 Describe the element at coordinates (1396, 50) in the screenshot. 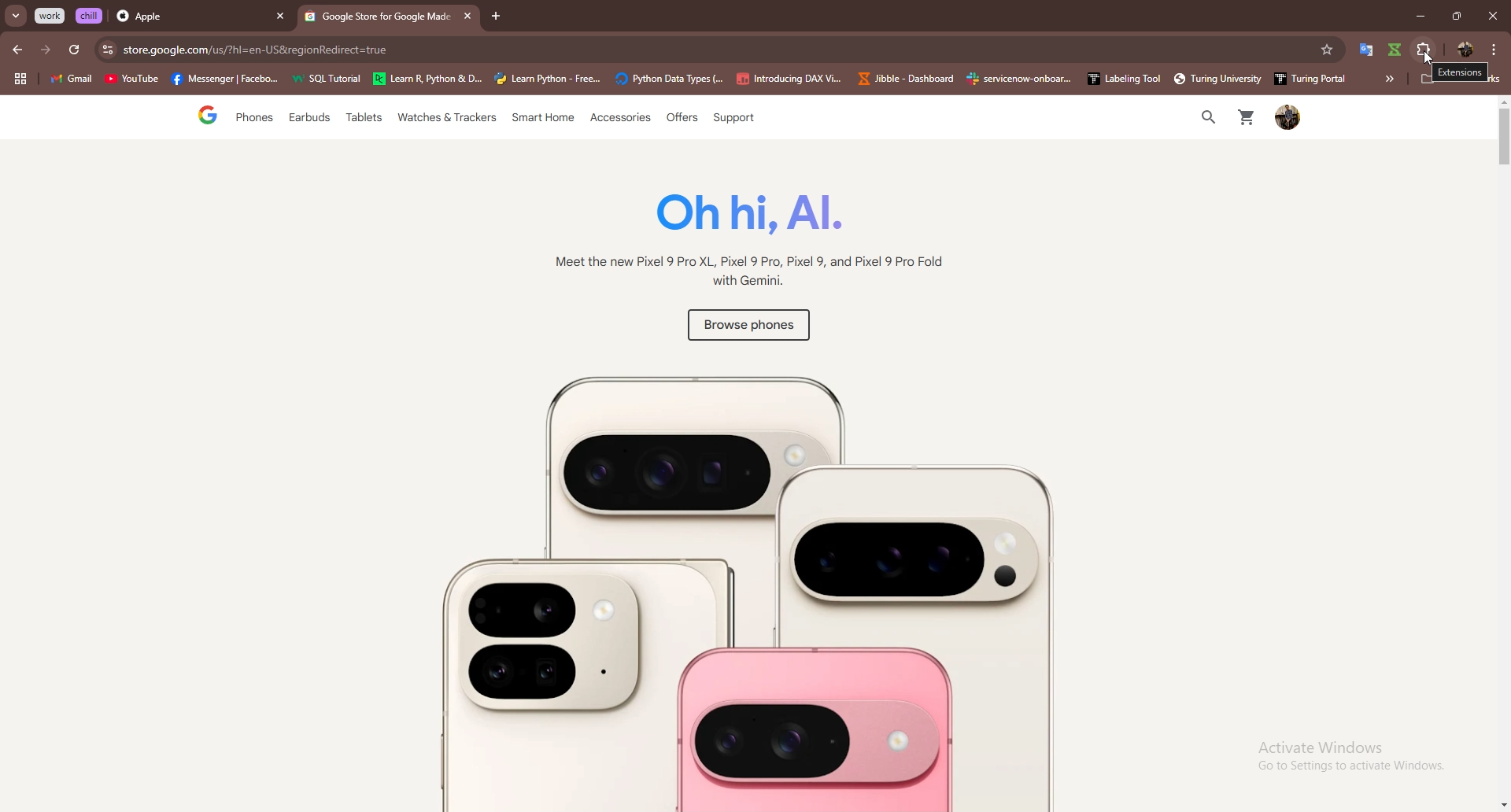

I see `jibble ` at that location.